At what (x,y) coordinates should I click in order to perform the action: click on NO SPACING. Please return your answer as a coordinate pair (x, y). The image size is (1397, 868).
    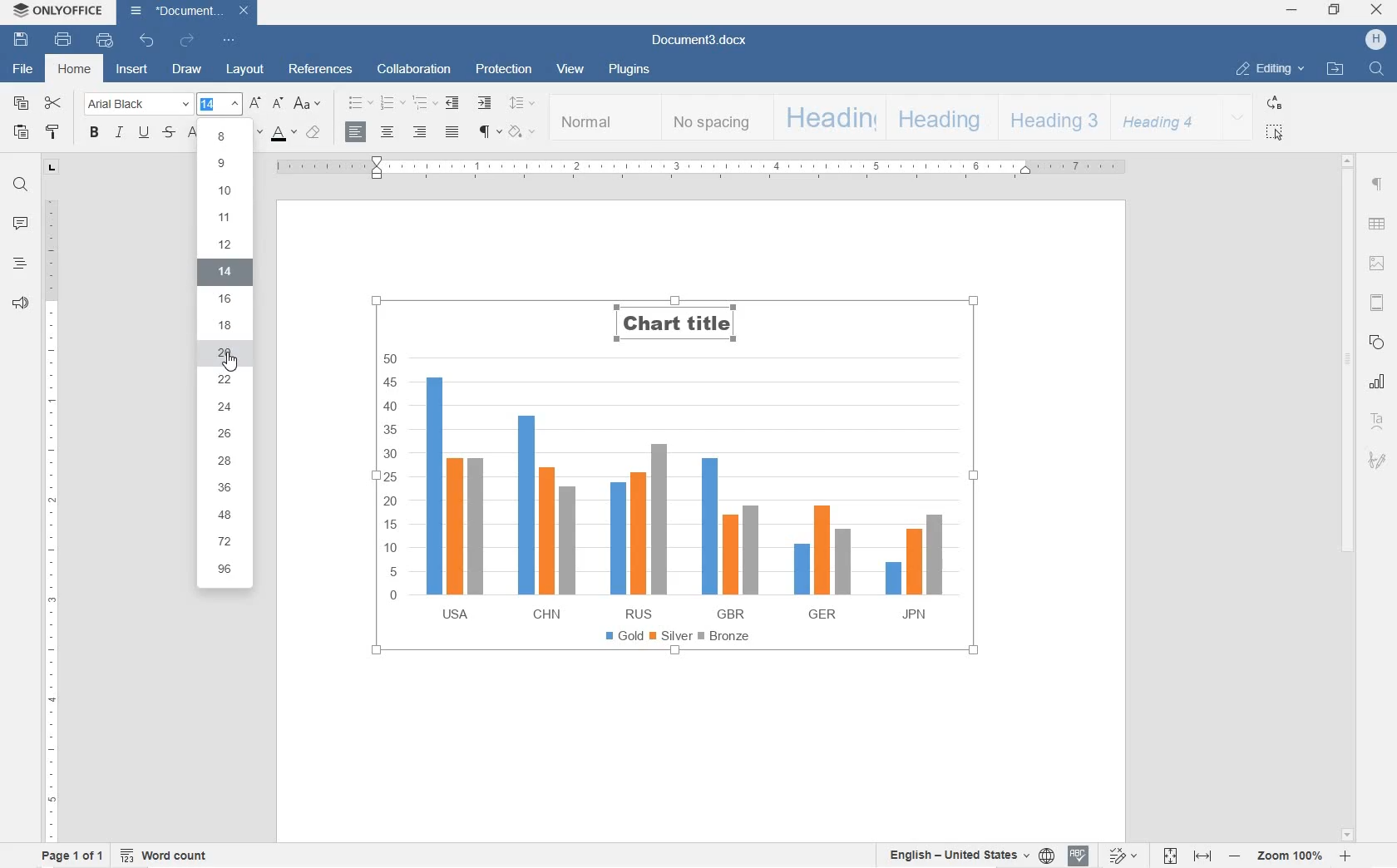
    Looking at the image, I should click on (713, 119).